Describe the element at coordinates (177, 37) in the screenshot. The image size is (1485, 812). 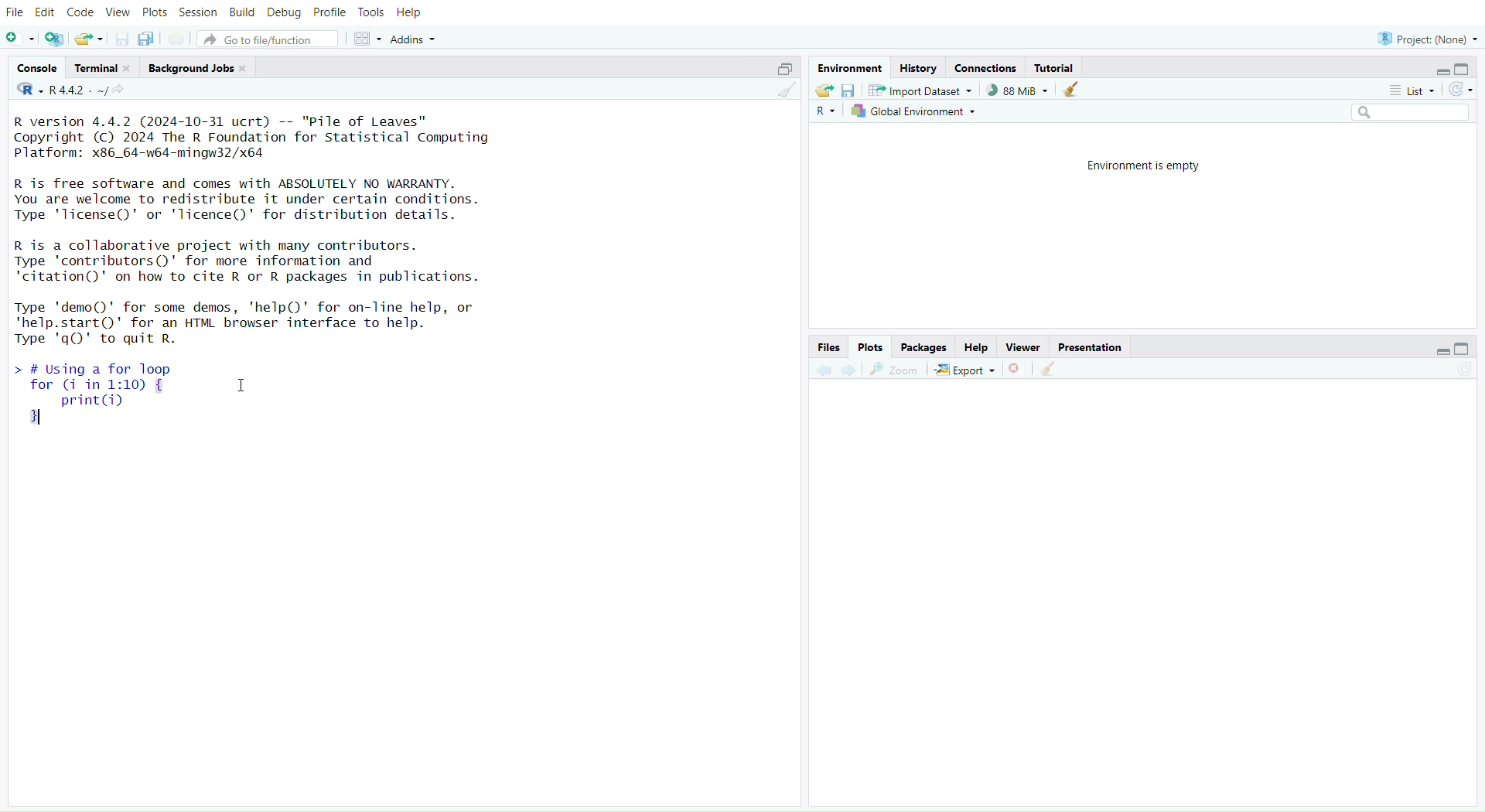
I see `print current file` at that location.